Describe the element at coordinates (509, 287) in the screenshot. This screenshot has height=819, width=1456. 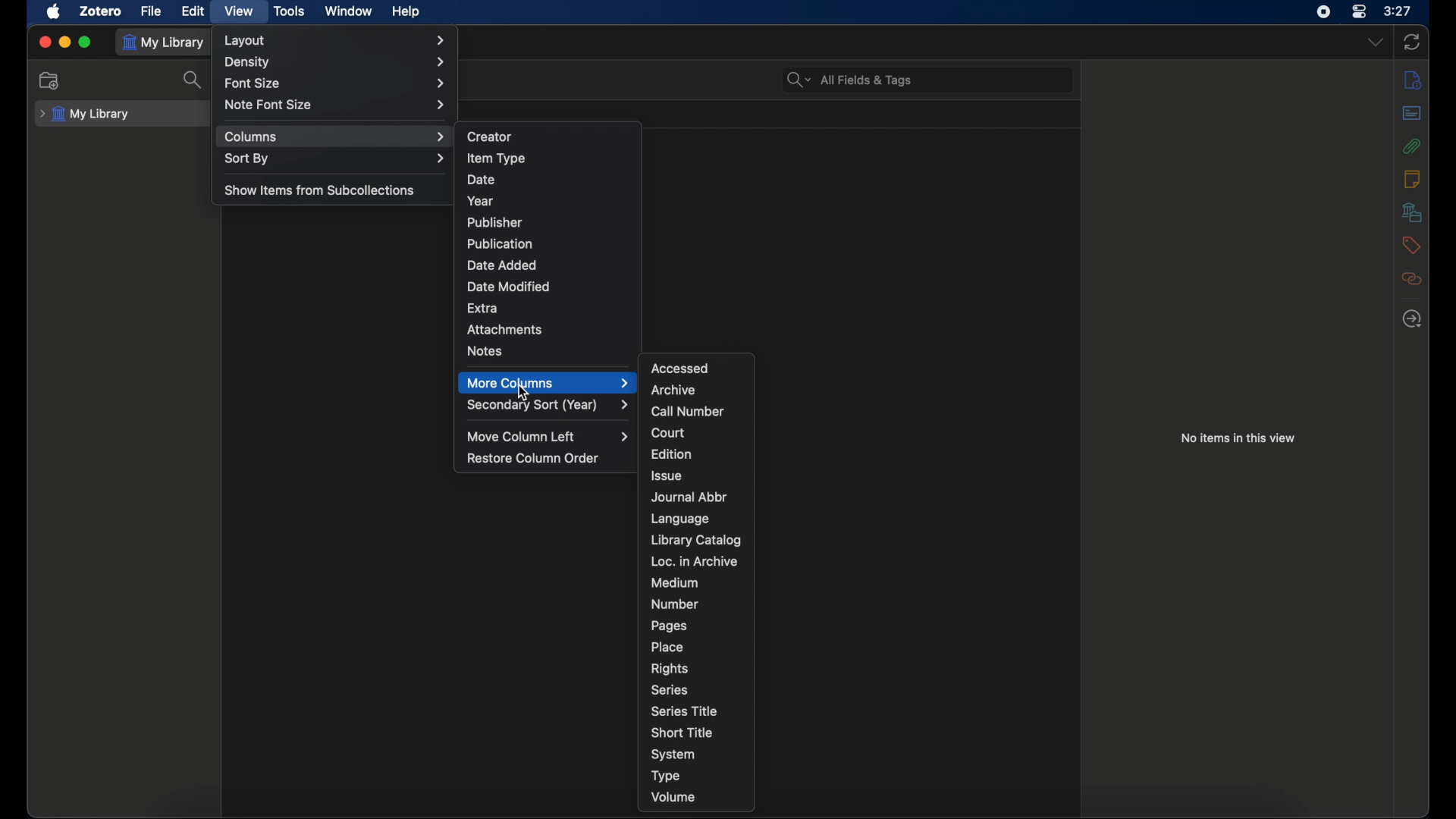
I see `date modified` at that location.